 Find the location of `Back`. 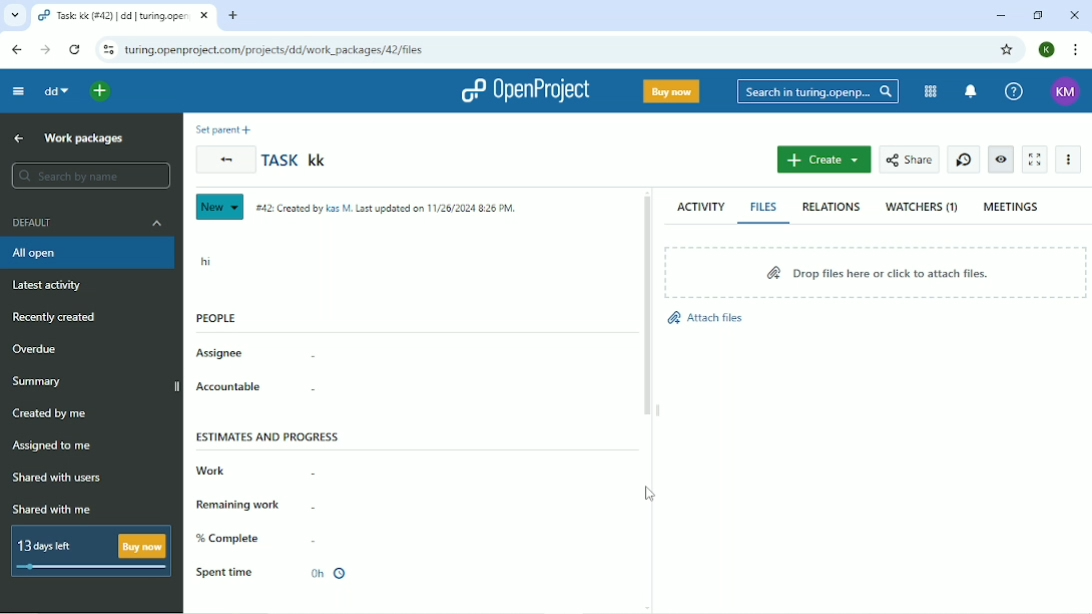

Back is located at coordinates (225, 159).